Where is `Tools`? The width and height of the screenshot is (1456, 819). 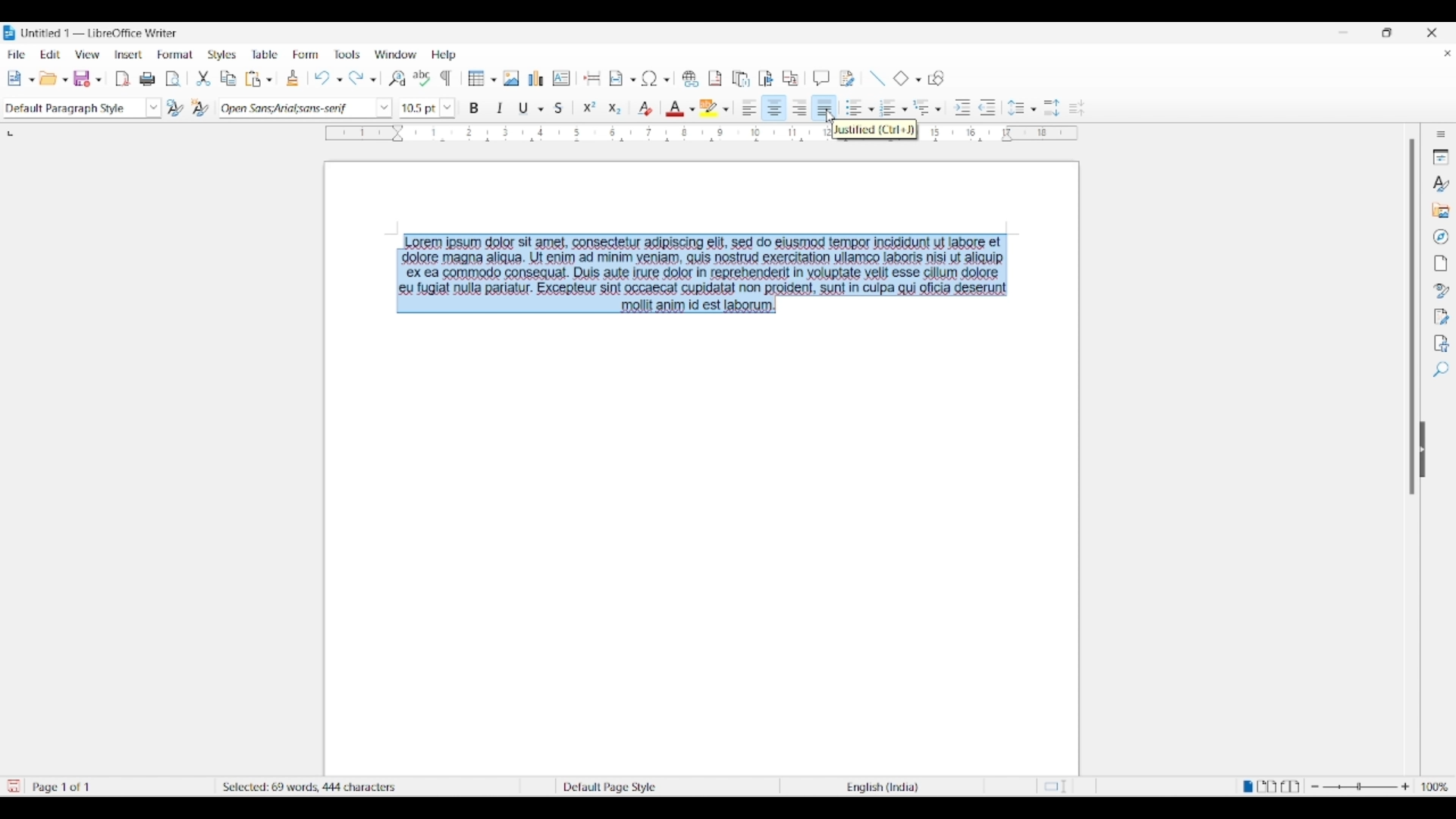
Tools is located at coordinates (347, 55).